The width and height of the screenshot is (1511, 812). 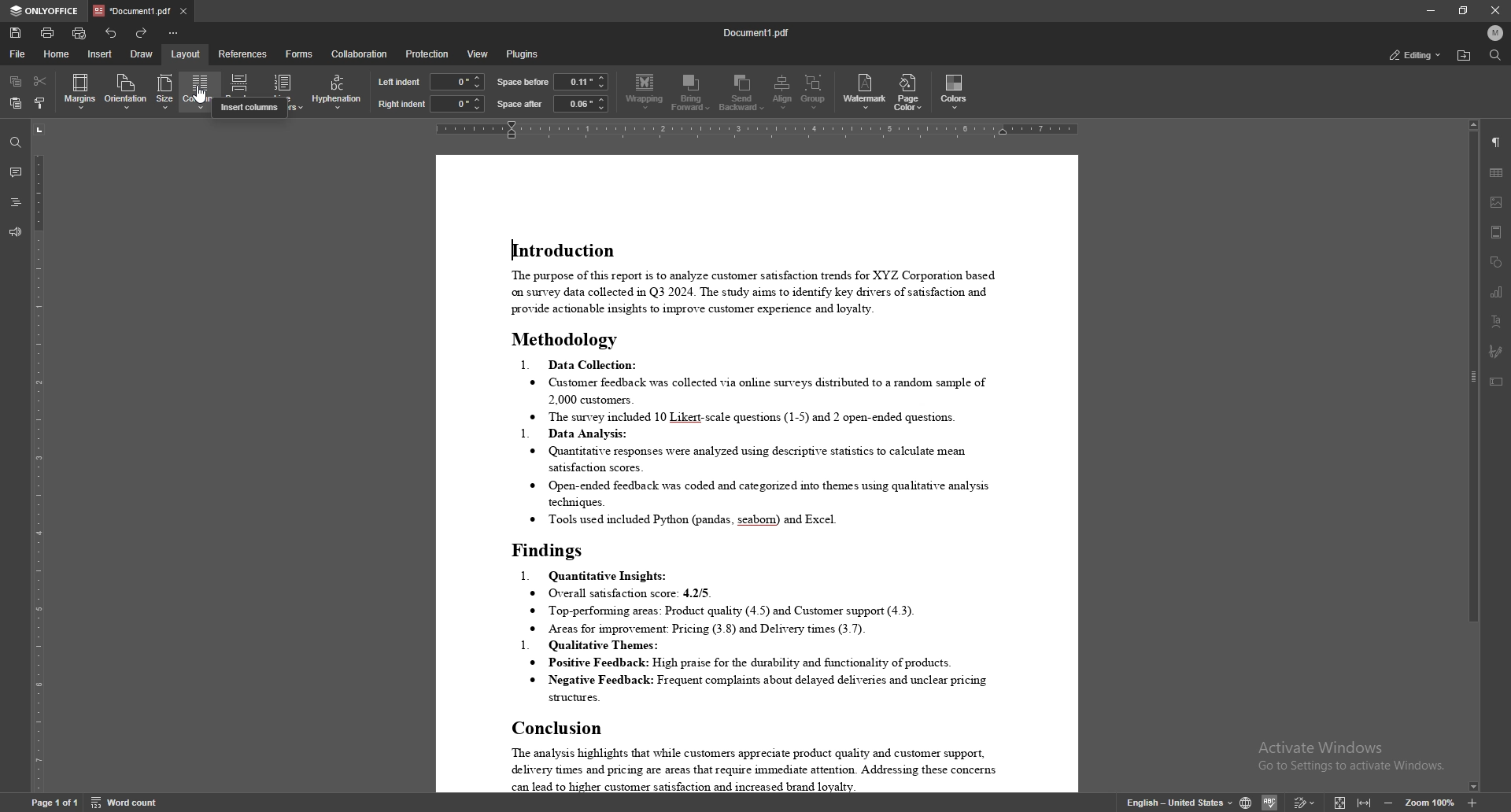 I want to click on colors, so click(x=955, y=91).